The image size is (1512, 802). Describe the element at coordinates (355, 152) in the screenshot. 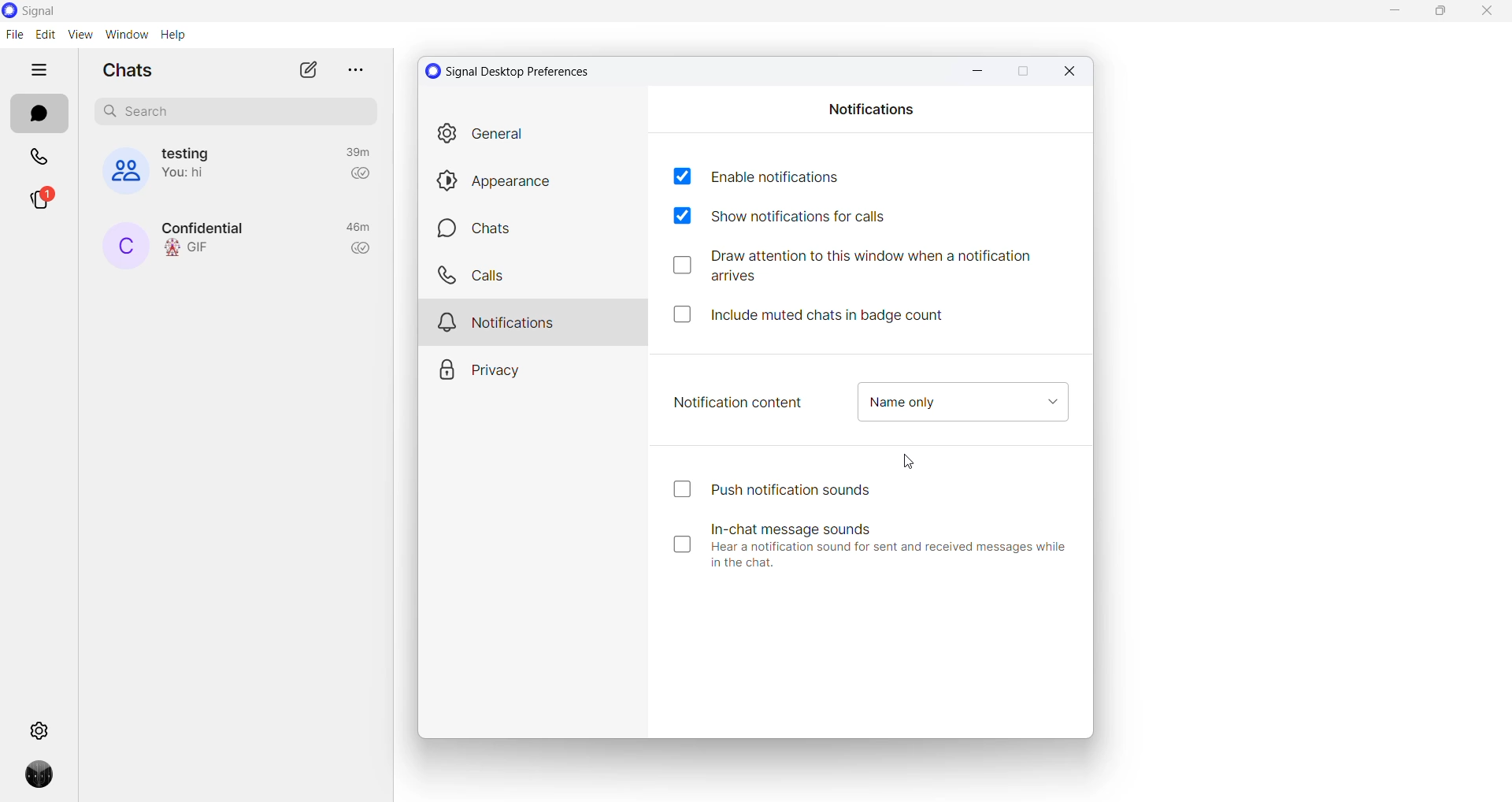

I see `last active time` at that location.